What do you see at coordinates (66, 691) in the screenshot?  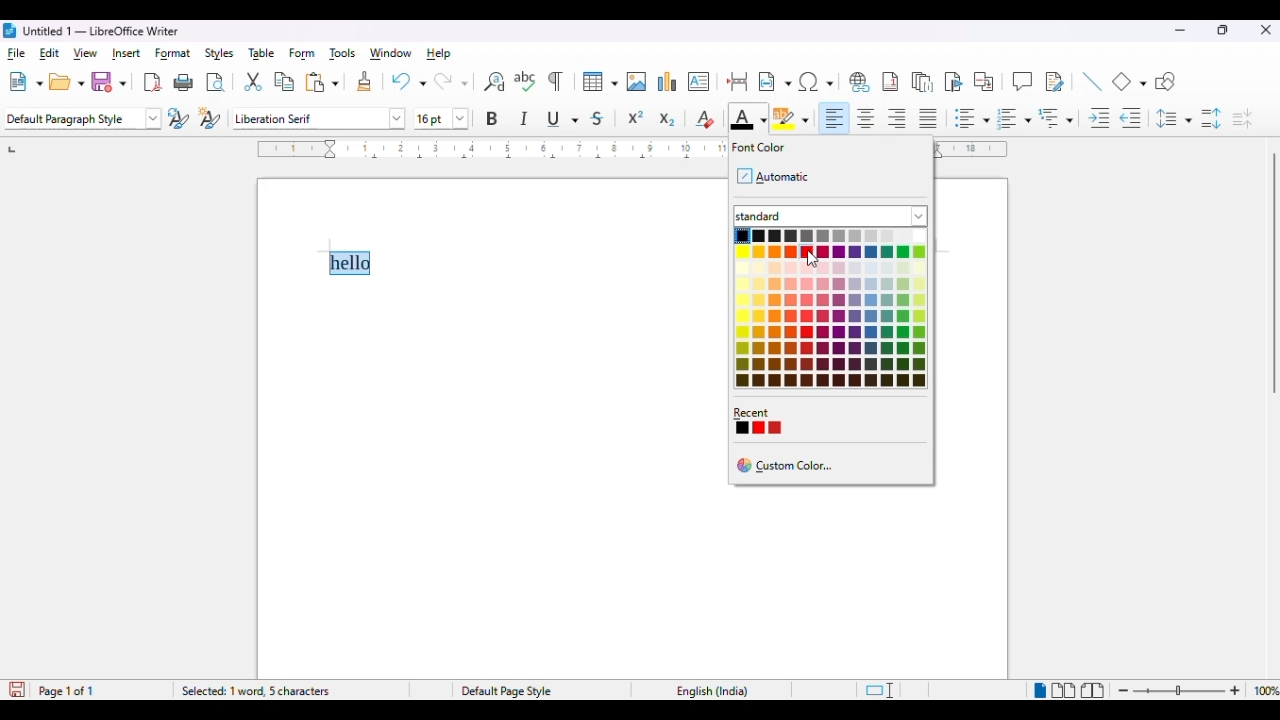 I see `page 1 of 1` at bounding box center [66, 691].